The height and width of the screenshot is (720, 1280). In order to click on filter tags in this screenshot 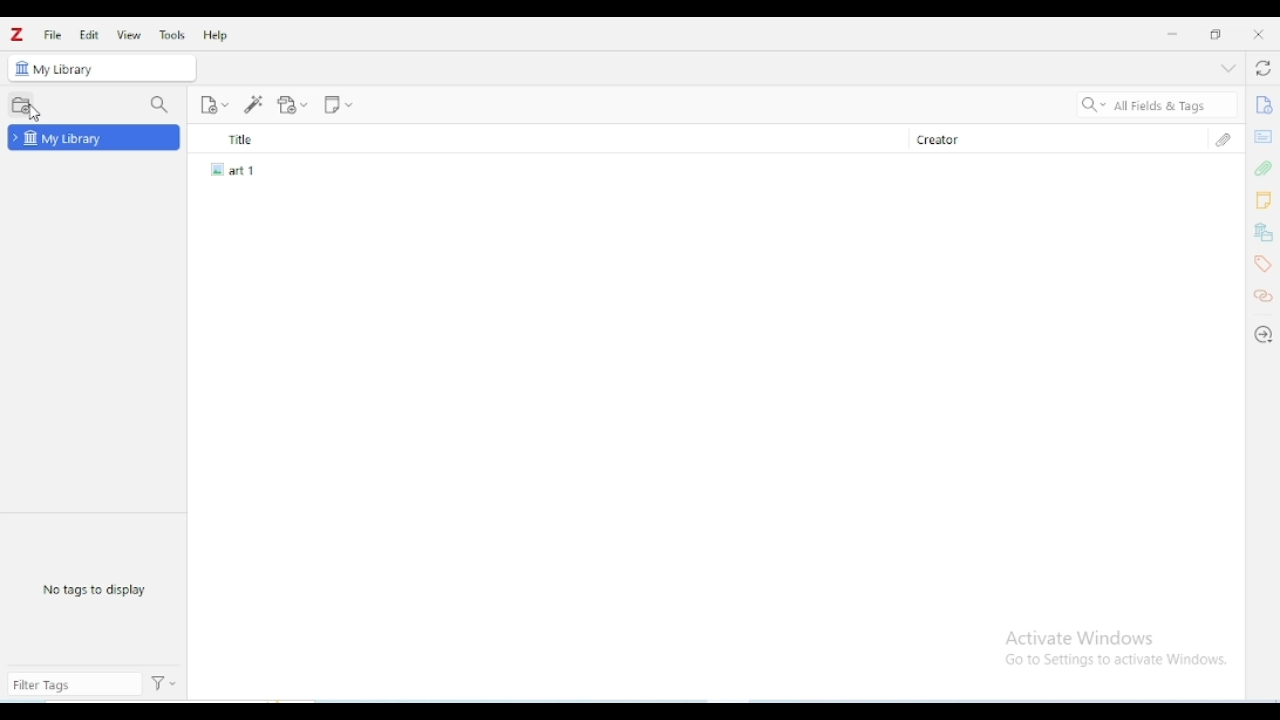, I will do `click(74, 685)`.